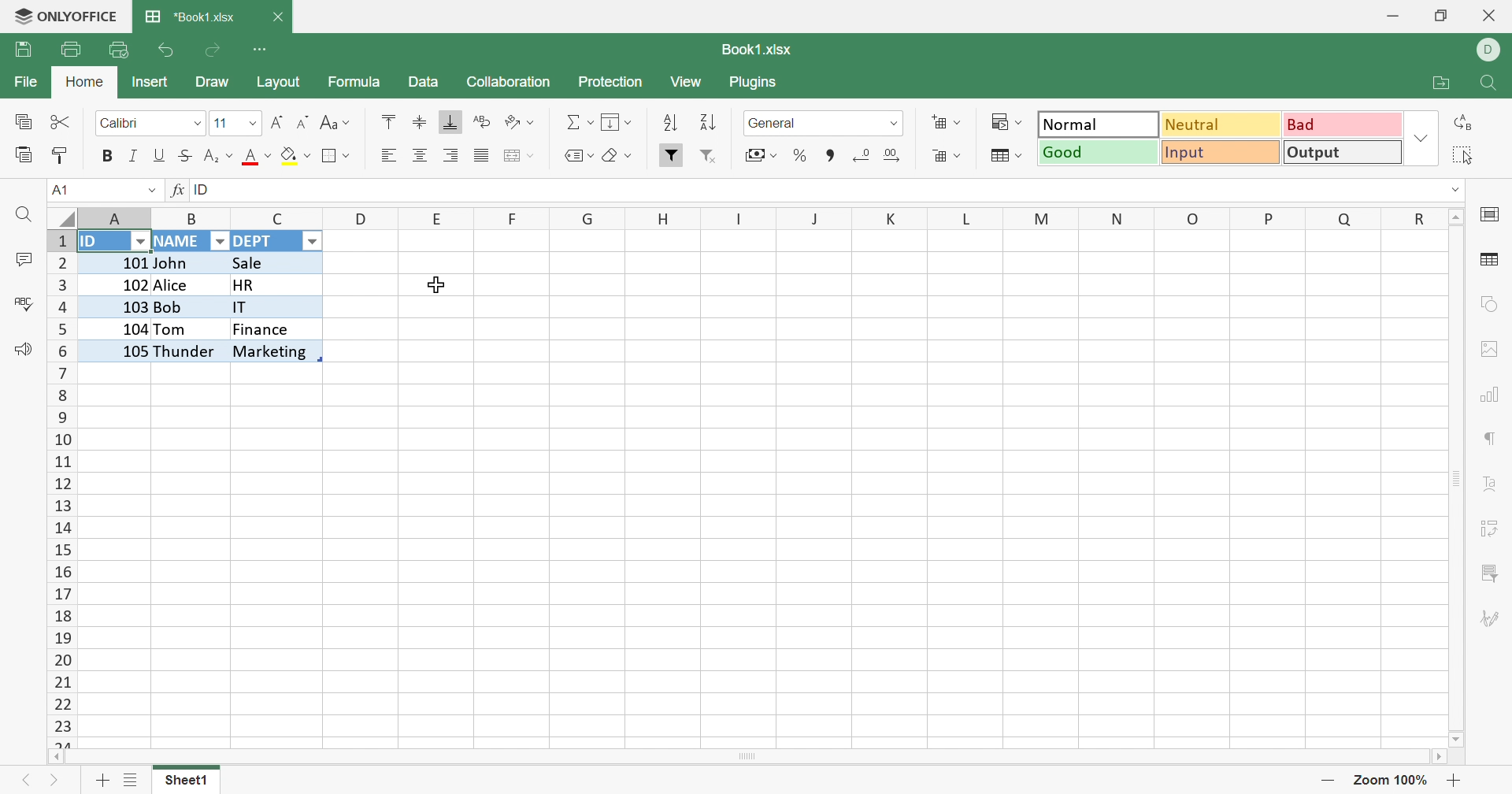  Describe the element at coordinates (801, 155) in the screenshot. I see `Percent` at that location.